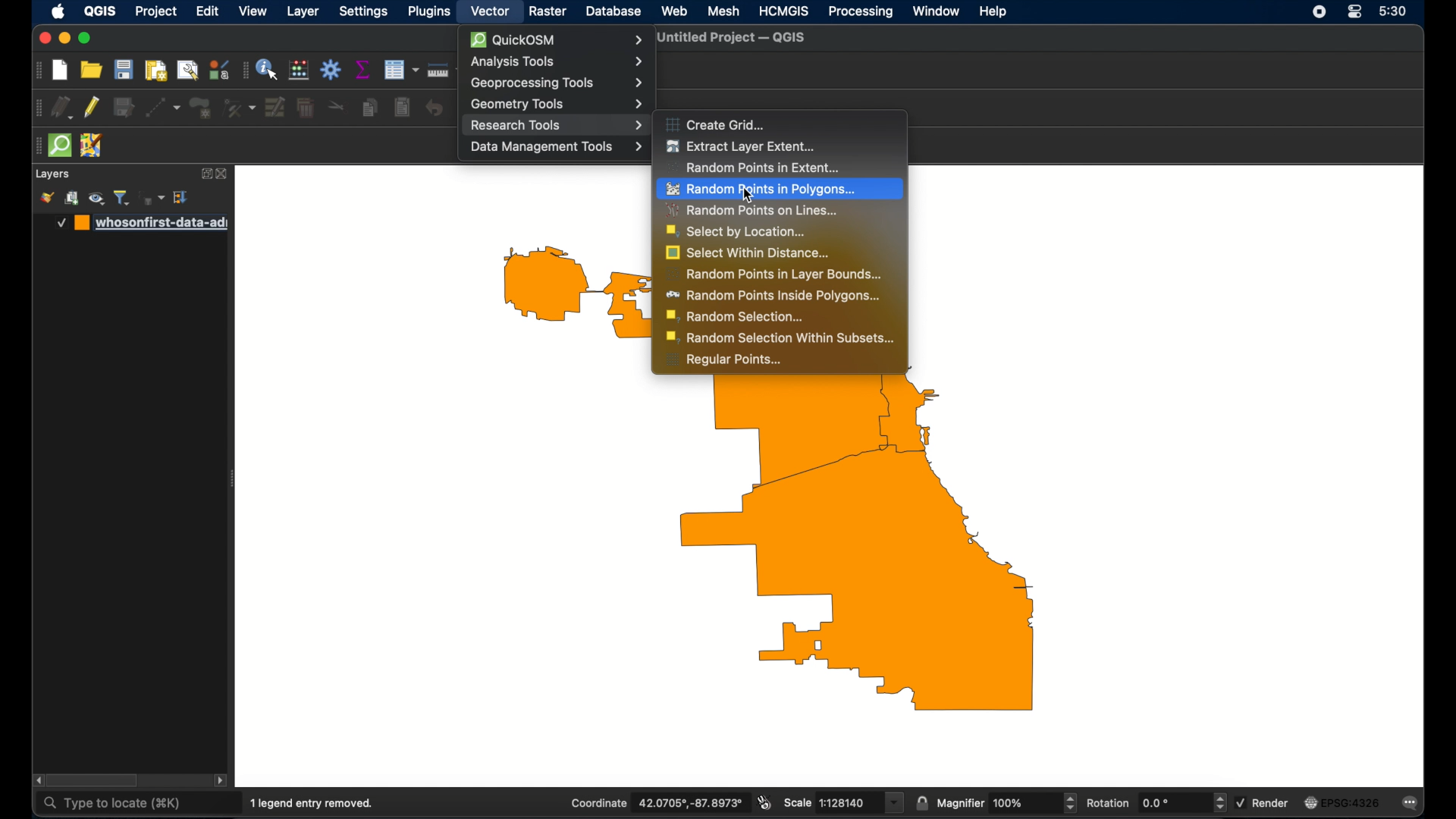 This screenshot has width=1456, height=819. I want to click on cut features, so click(336, 107).